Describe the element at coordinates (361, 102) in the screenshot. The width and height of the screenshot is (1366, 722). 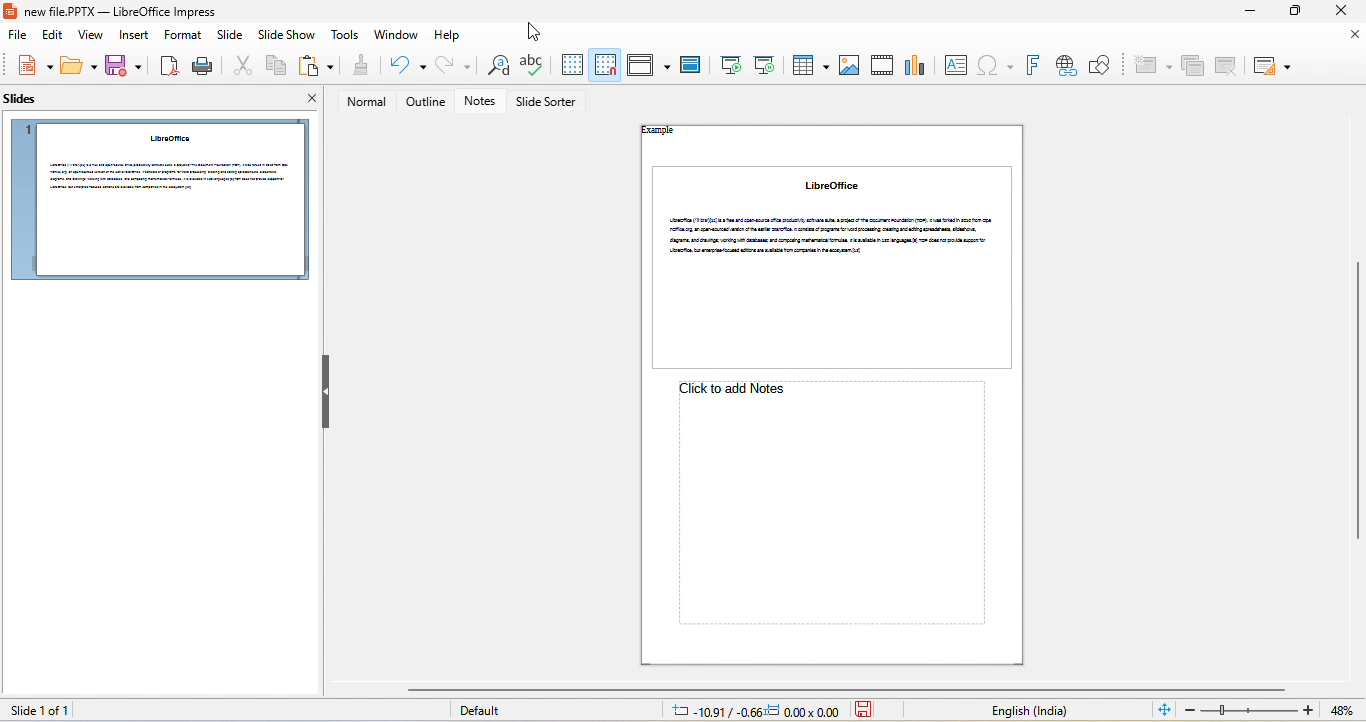
I see `normal` at that location.